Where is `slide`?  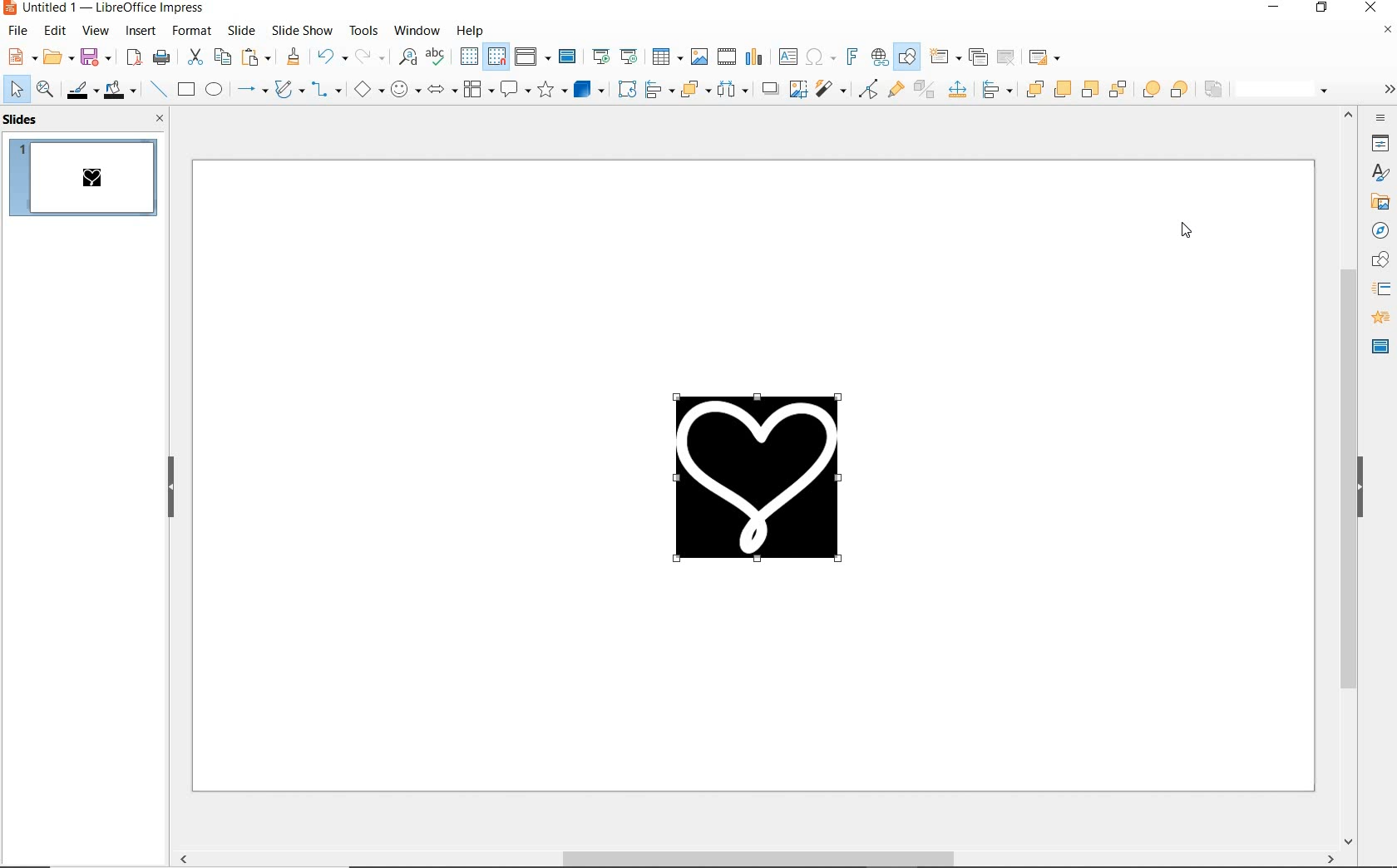
slide is located at coordinates (241, 30).